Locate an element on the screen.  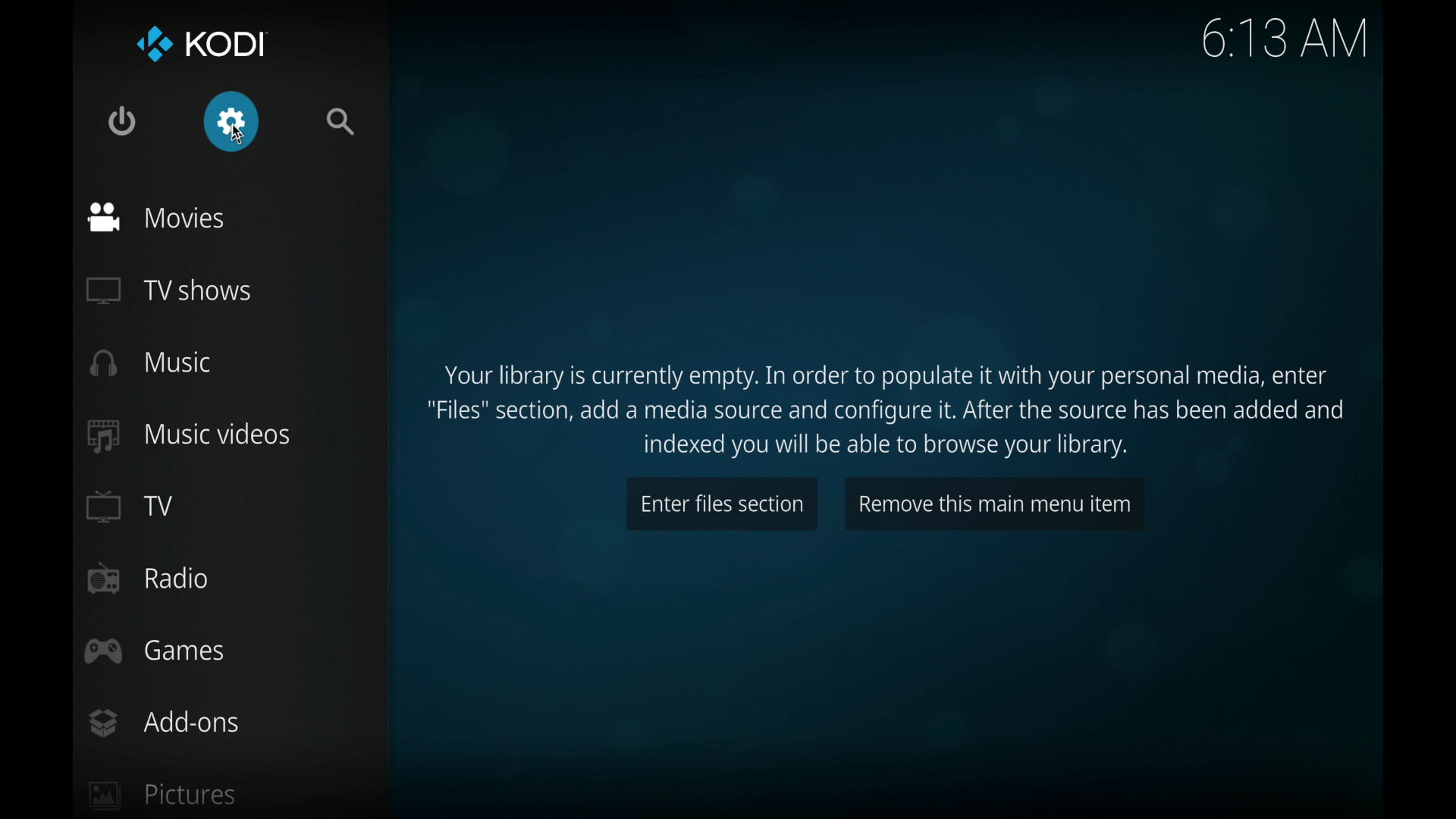
add-ons is located at coordinates (164, 723).